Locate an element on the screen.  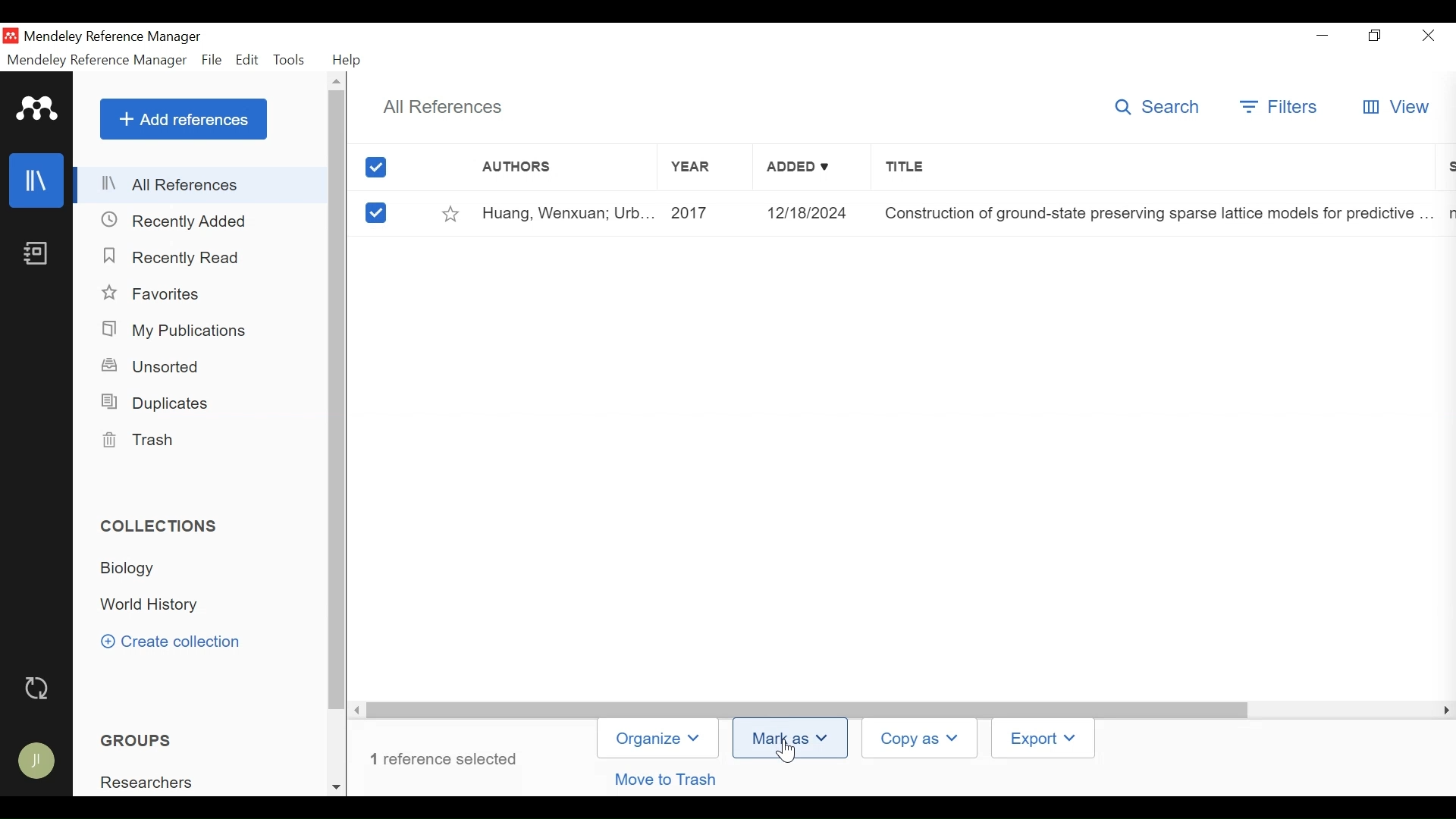
Scroll Right is located at coordinates (354, 709).